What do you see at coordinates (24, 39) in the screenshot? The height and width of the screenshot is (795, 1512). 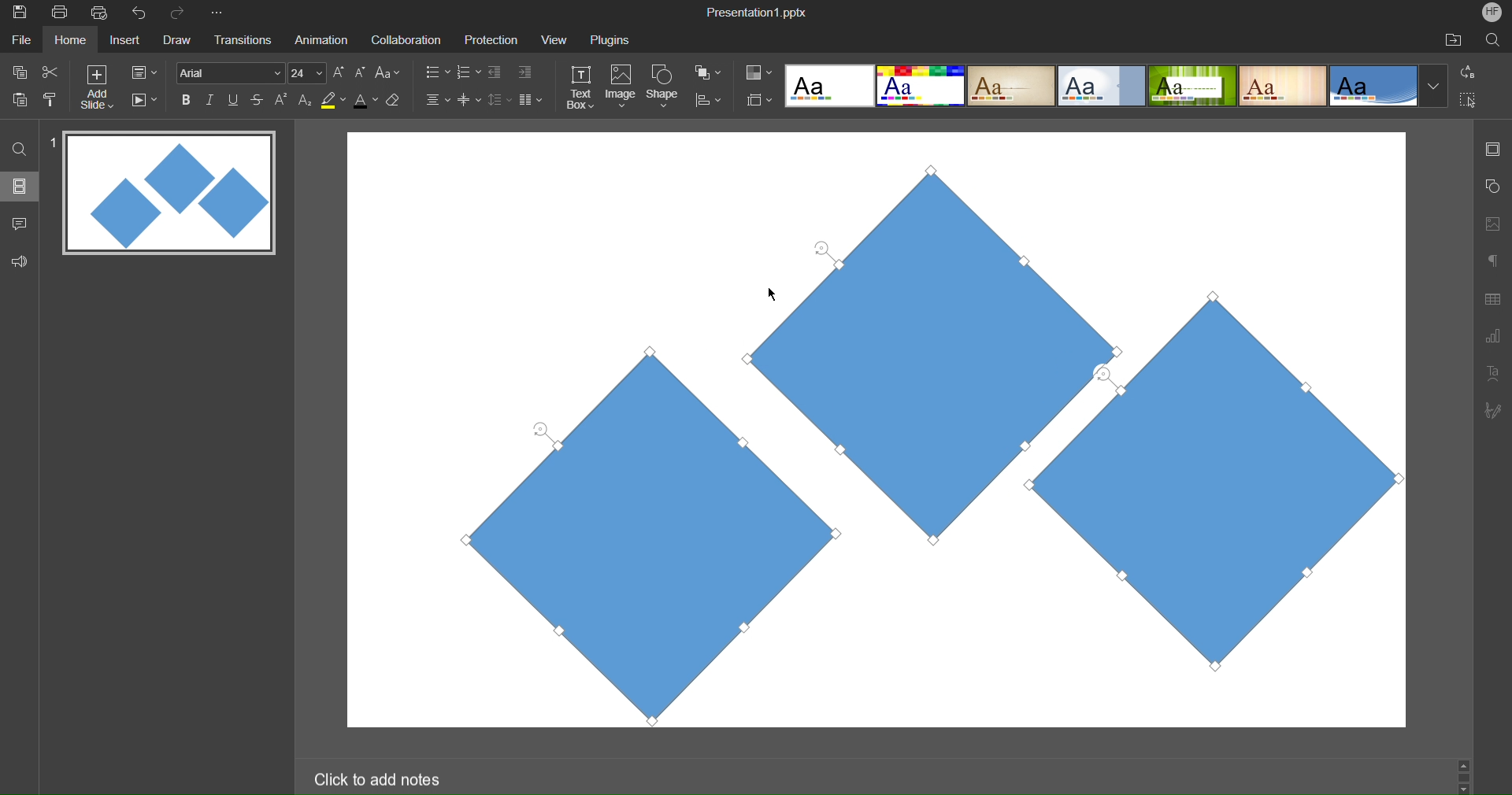 I see `File` at bounding box center [24, 39].